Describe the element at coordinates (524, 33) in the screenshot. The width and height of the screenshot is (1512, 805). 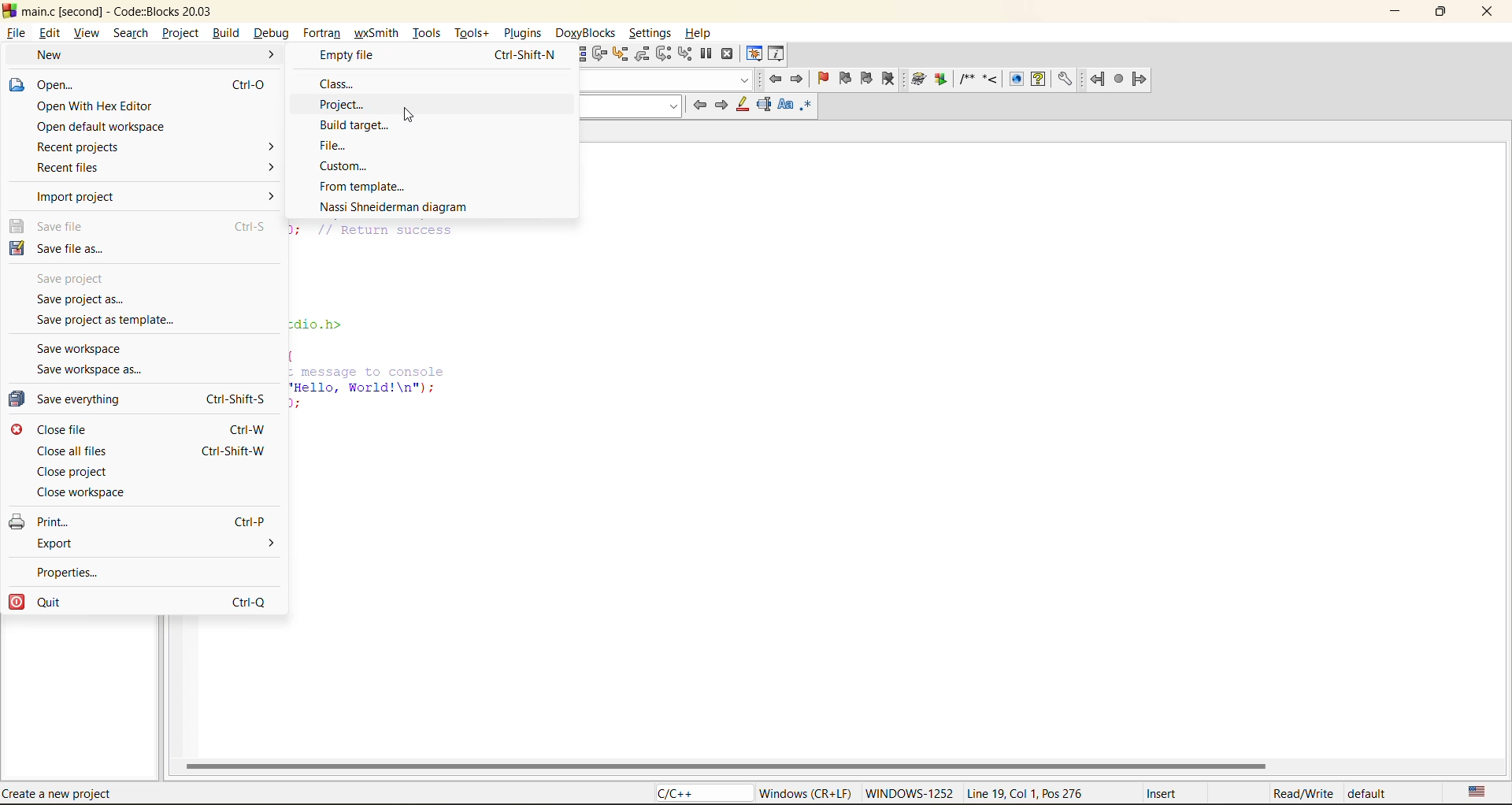
I see `plugins` at that location.